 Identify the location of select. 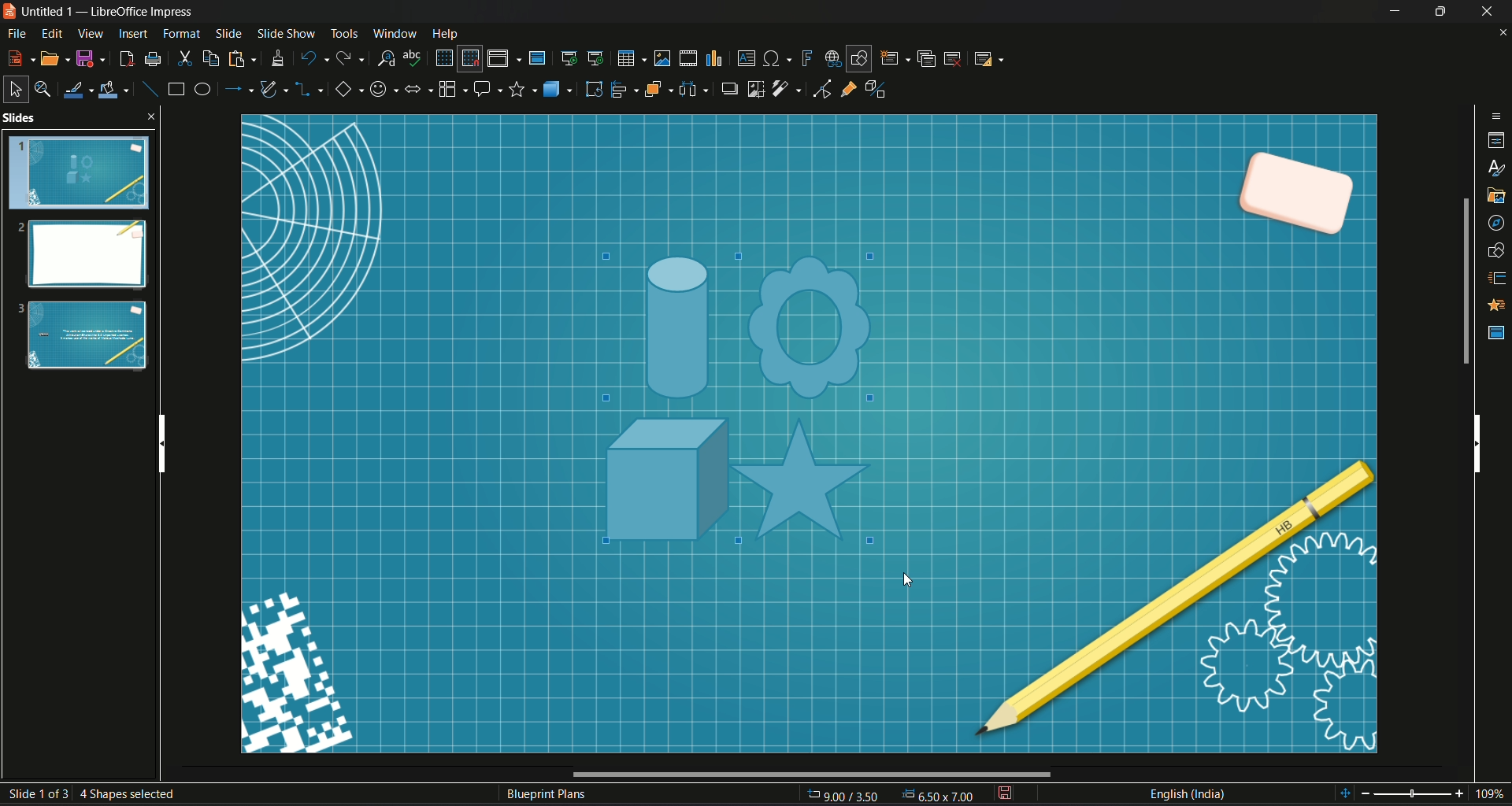
(13, 89).